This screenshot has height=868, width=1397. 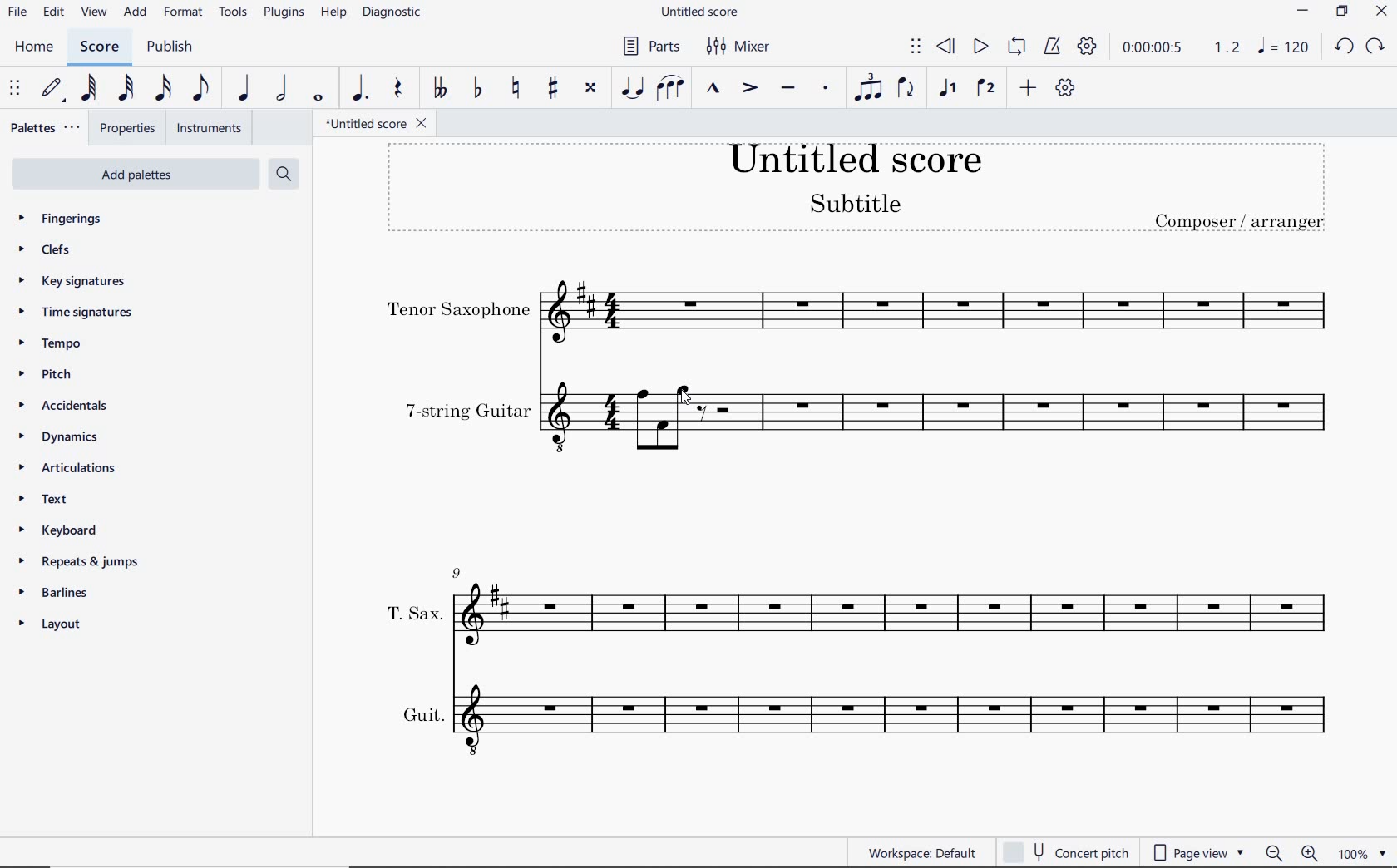 What do you see at coordinates (553, 87) in the screenshot?
I see `TOGGLE SHARP` at bounding box center [553, 87].